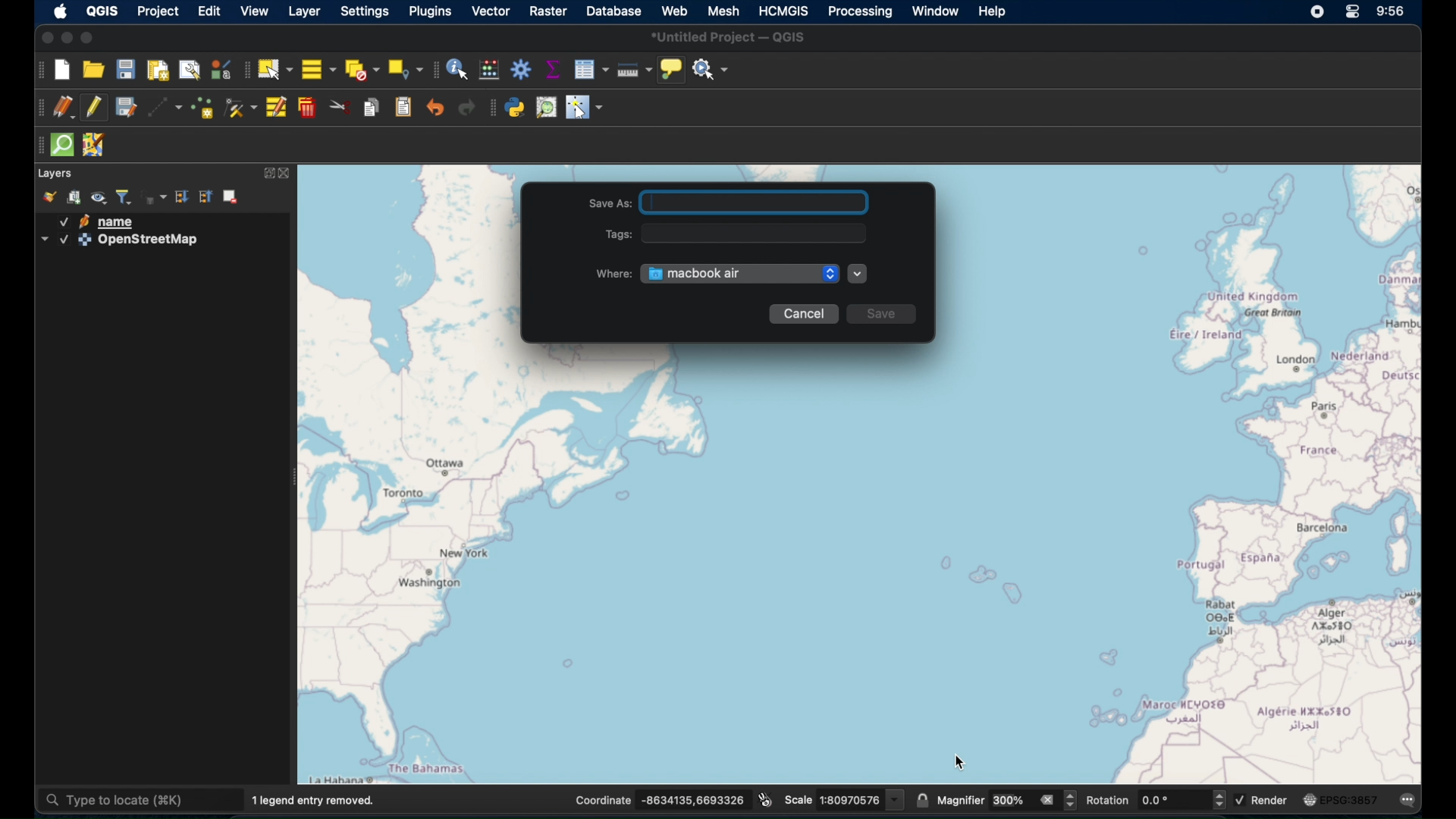  Describe the element at coordinates (287, 174) in the screenshot. I see `close` at that location.